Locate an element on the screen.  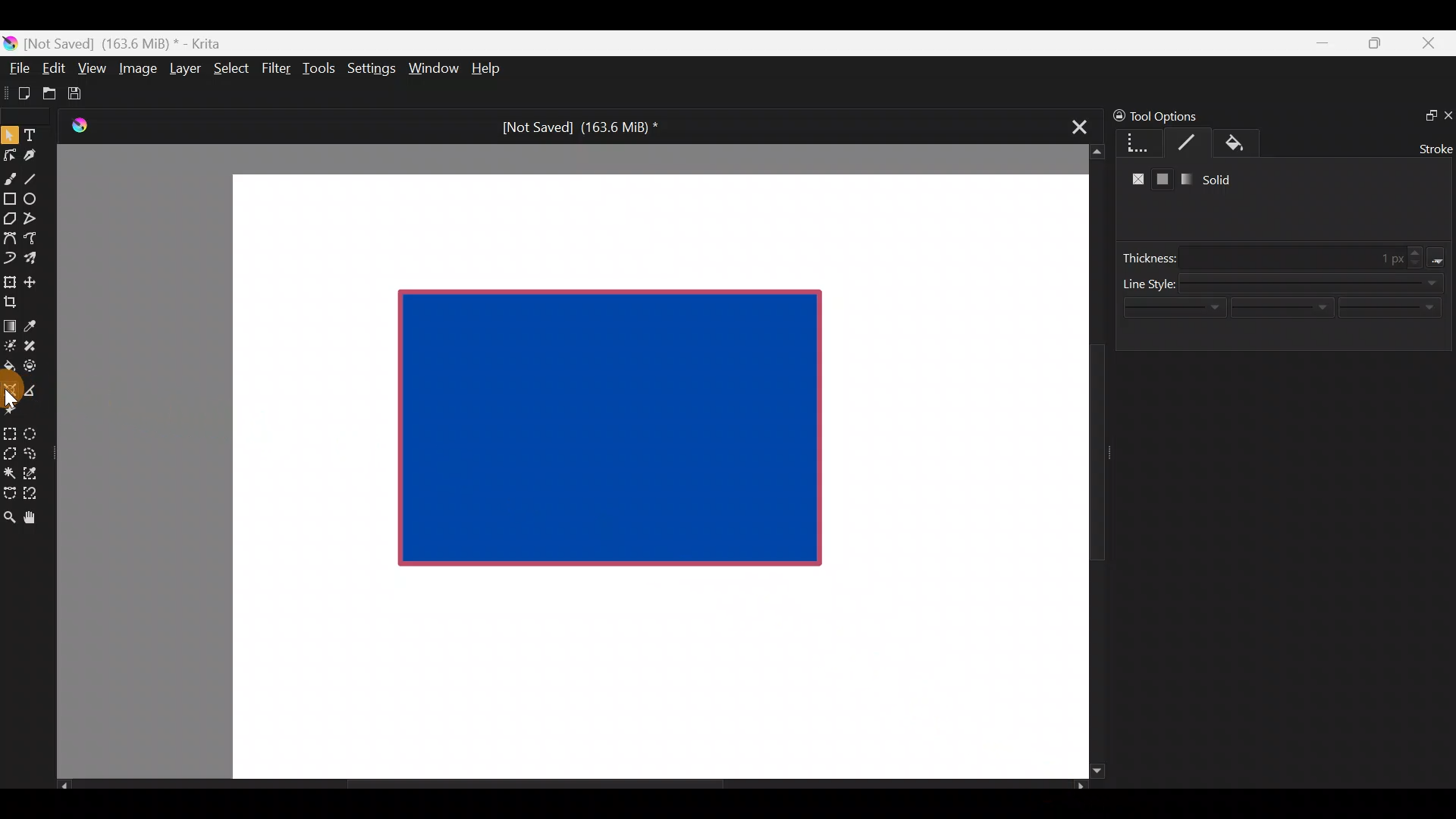
Pan tool is located at coordinates (36, 518).